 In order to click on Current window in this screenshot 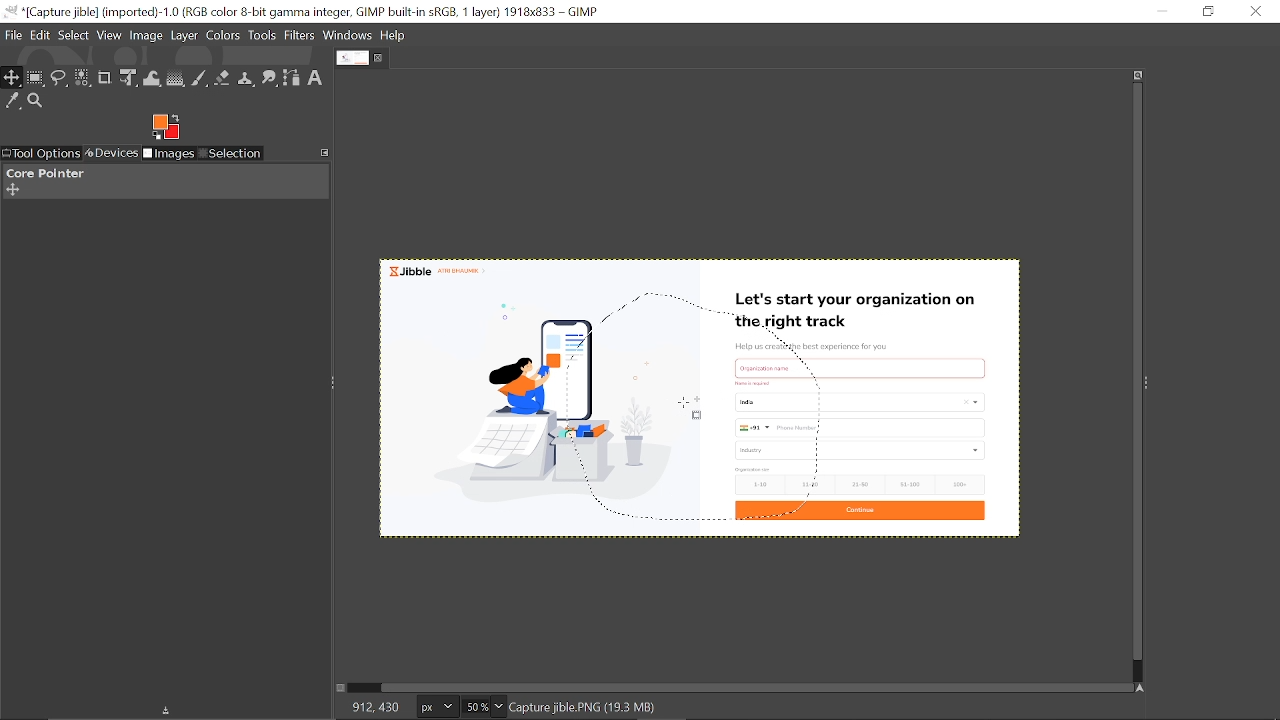, I will do `click(305, 12)`.